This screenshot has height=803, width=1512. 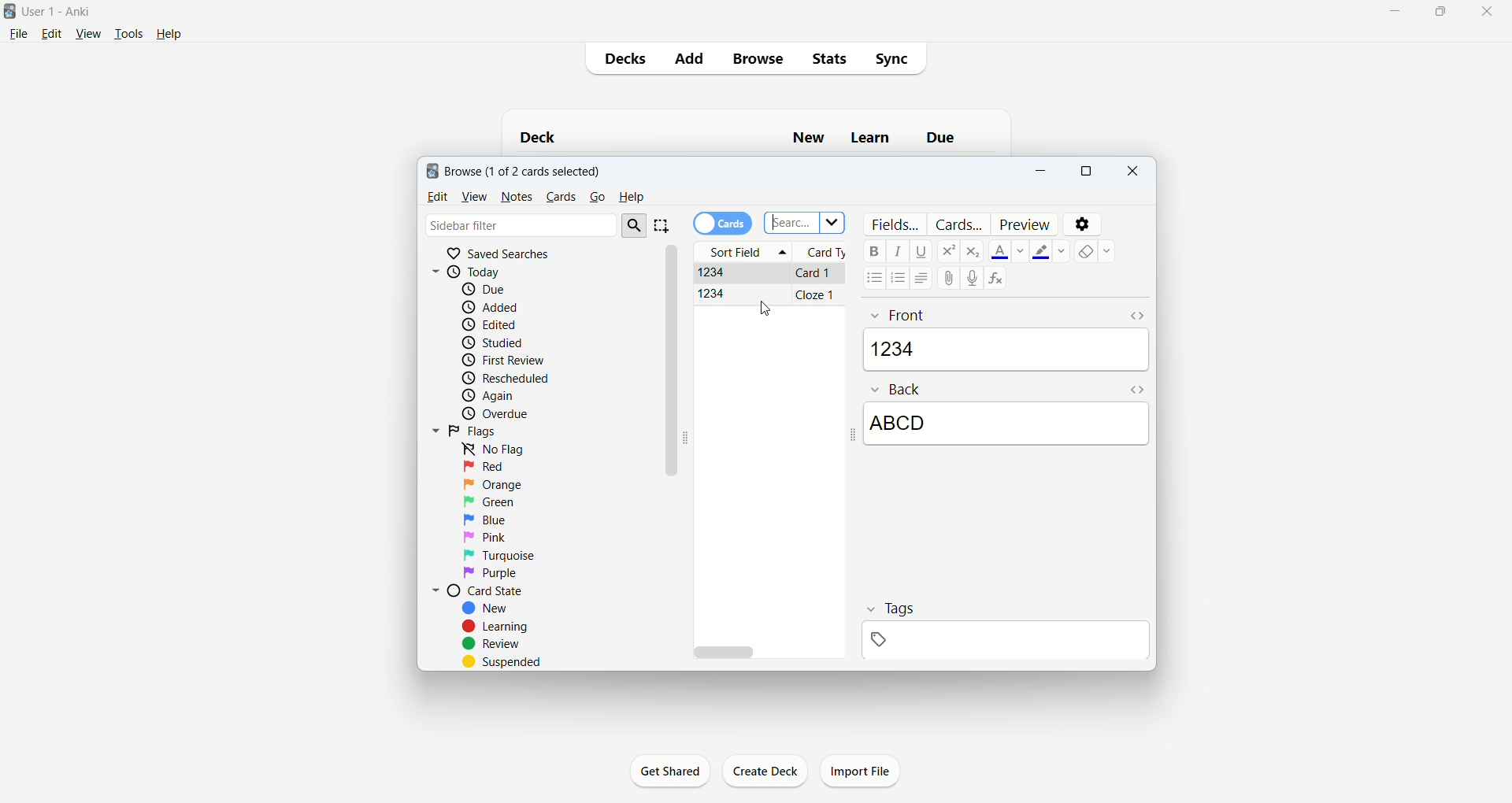 I want to click on bold, so click(x=875, y=252).